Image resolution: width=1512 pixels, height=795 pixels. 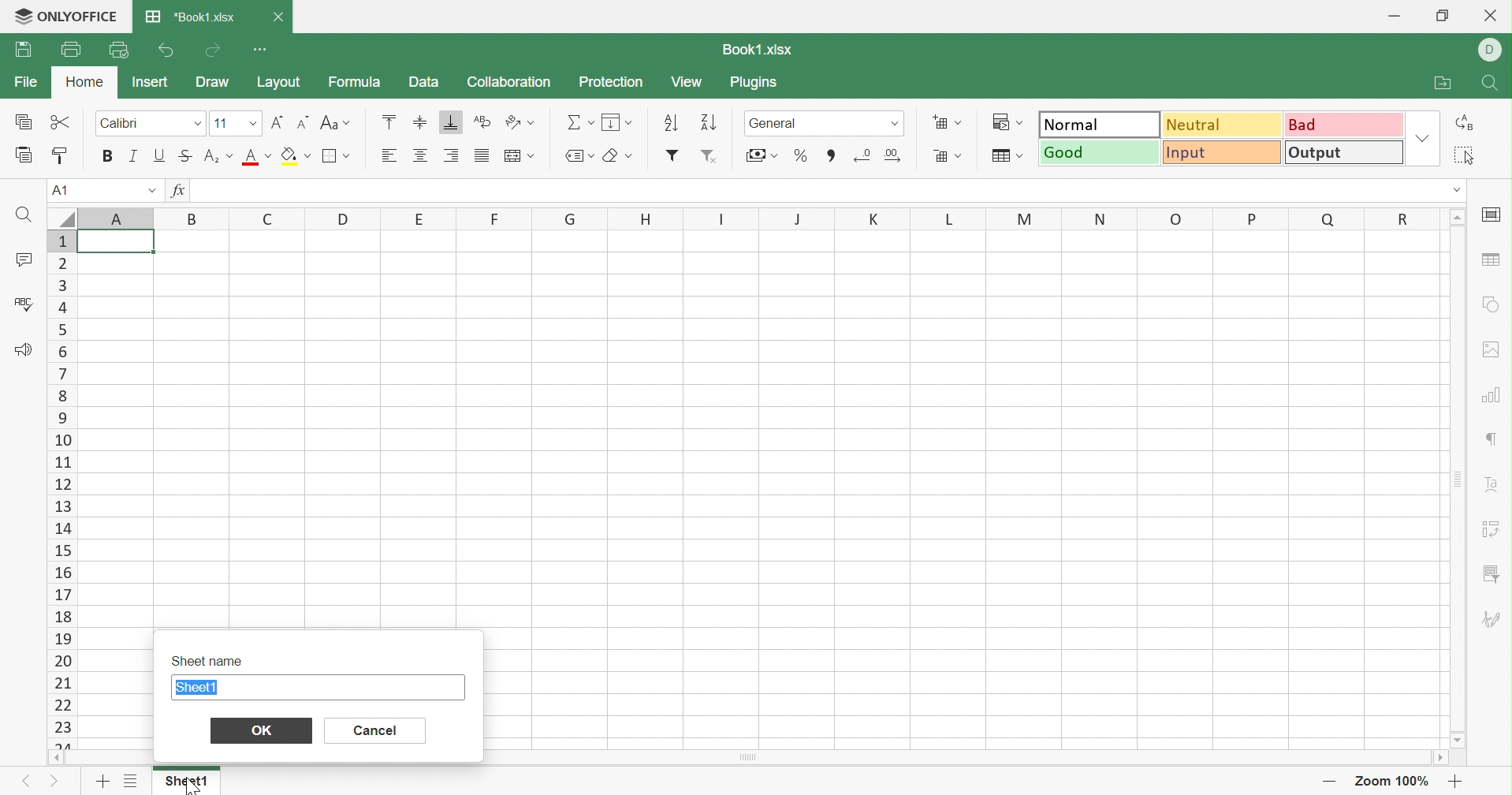 What do you see at coordinates (423, 82) in the screenshot?
I see `Data` at bounding box center [423, 82].